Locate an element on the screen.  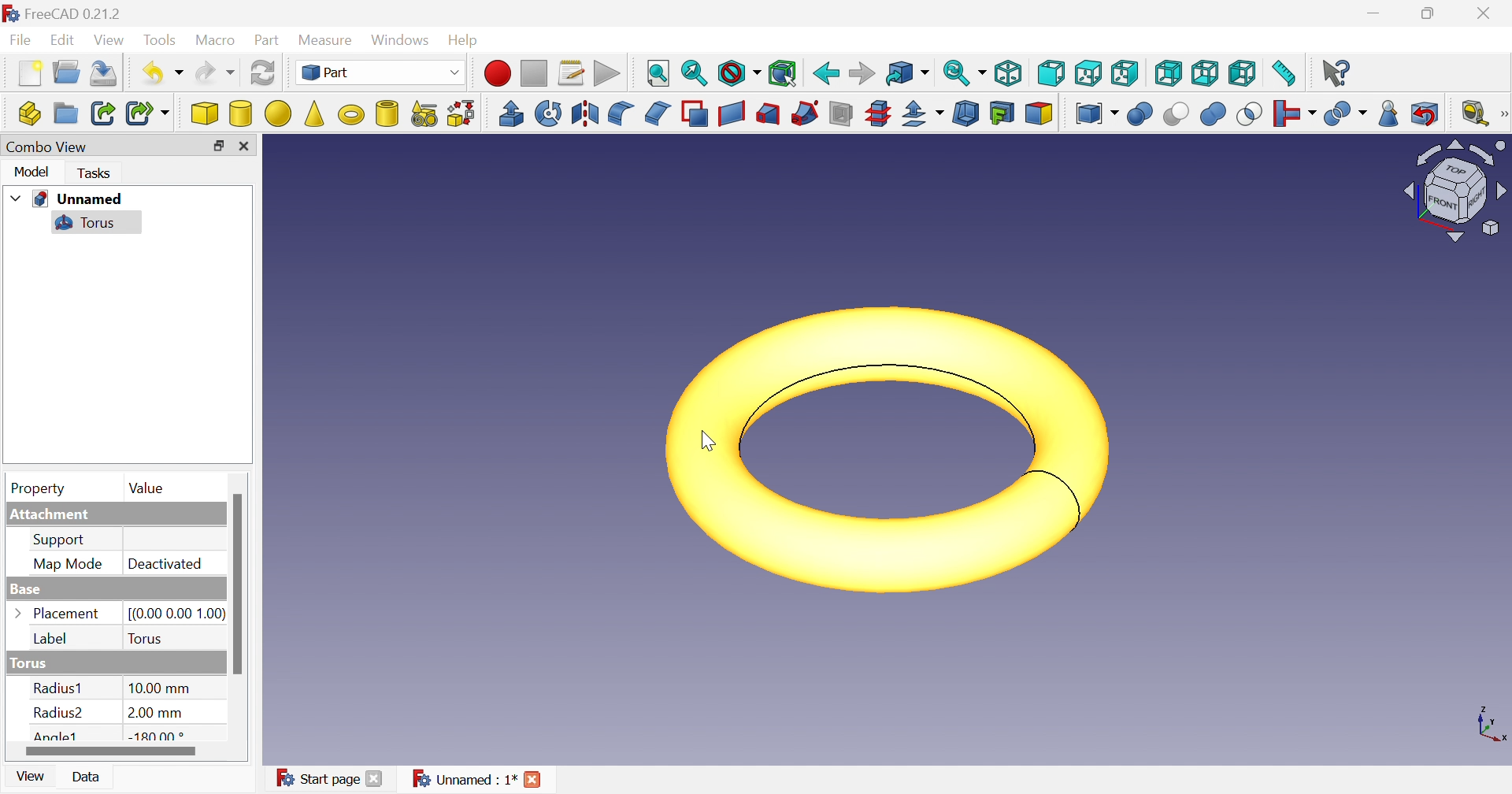
Unnamed : 1* is located at coordinates (465, 777).